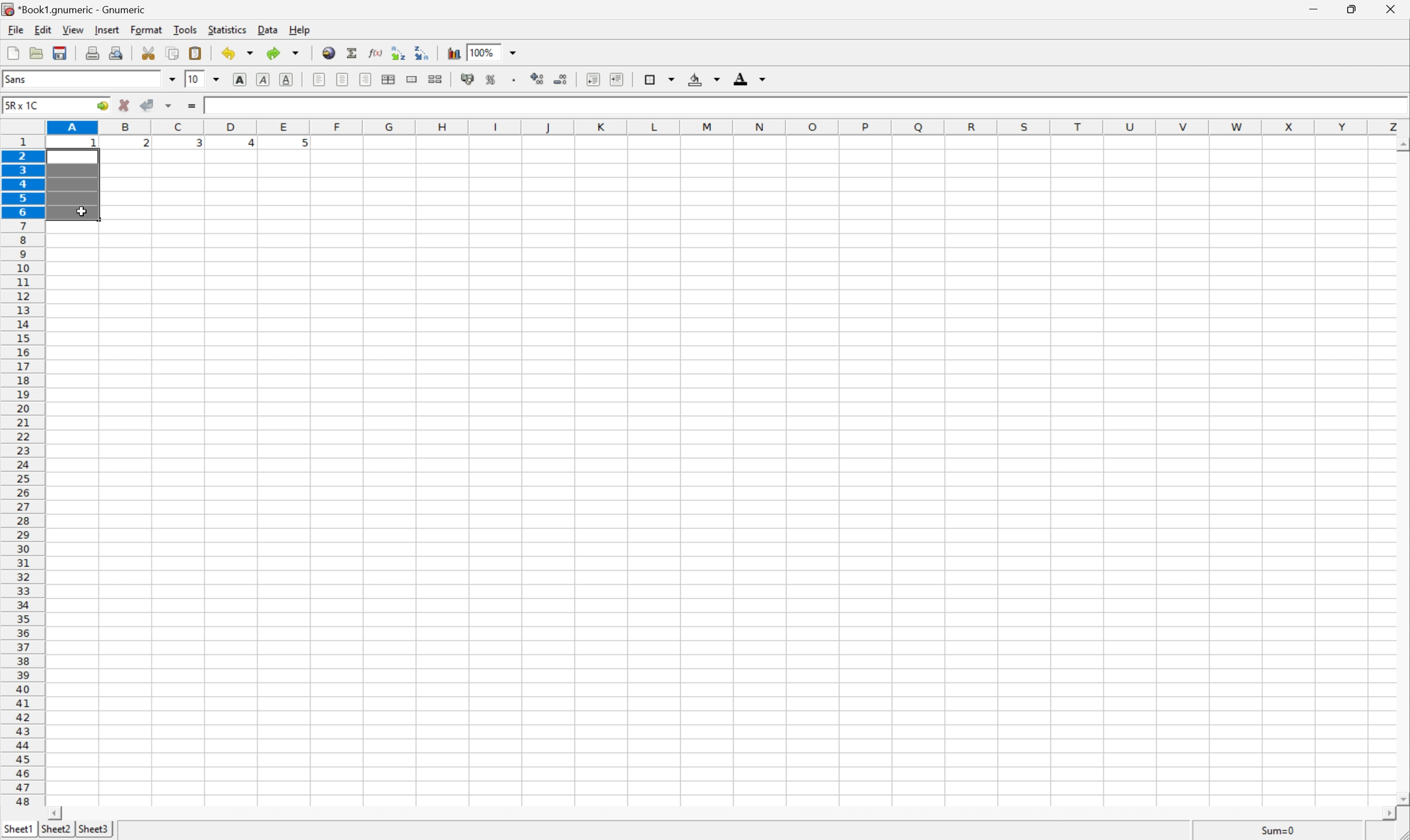  I want to click on merge a range of cells, so click(413, 80).